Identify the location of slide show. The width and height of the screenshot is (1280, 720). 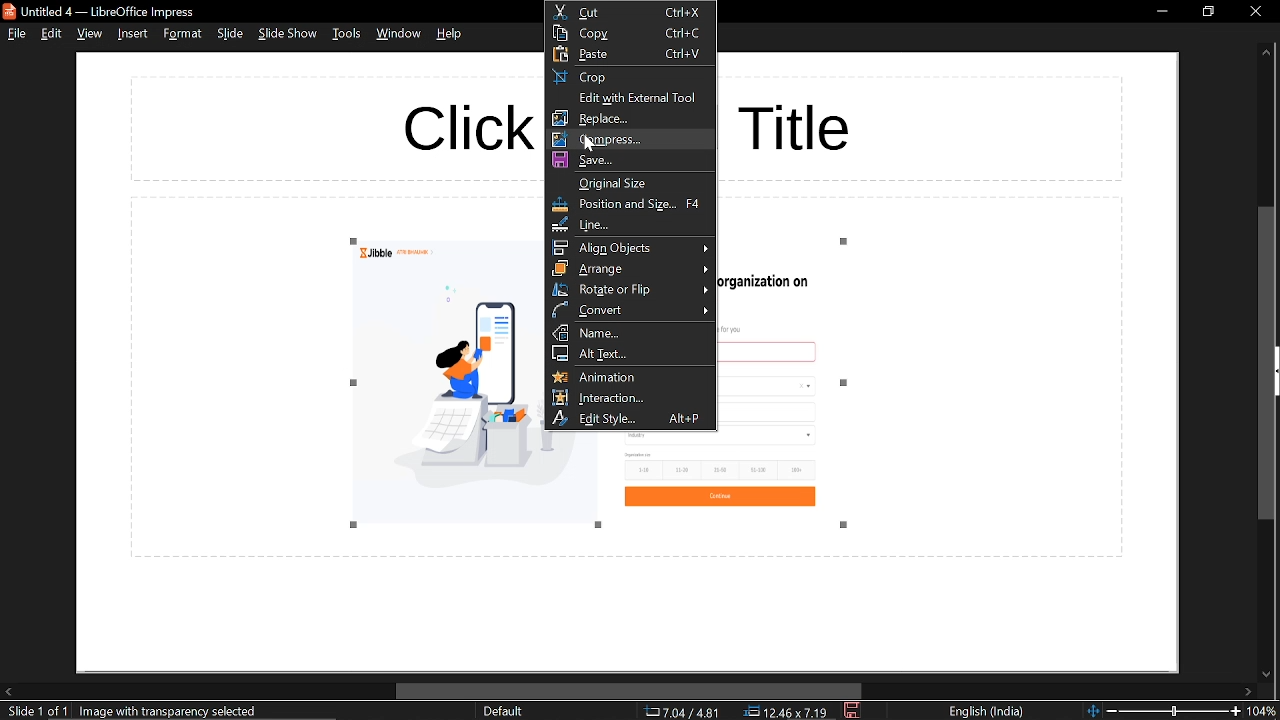
(288, 36).